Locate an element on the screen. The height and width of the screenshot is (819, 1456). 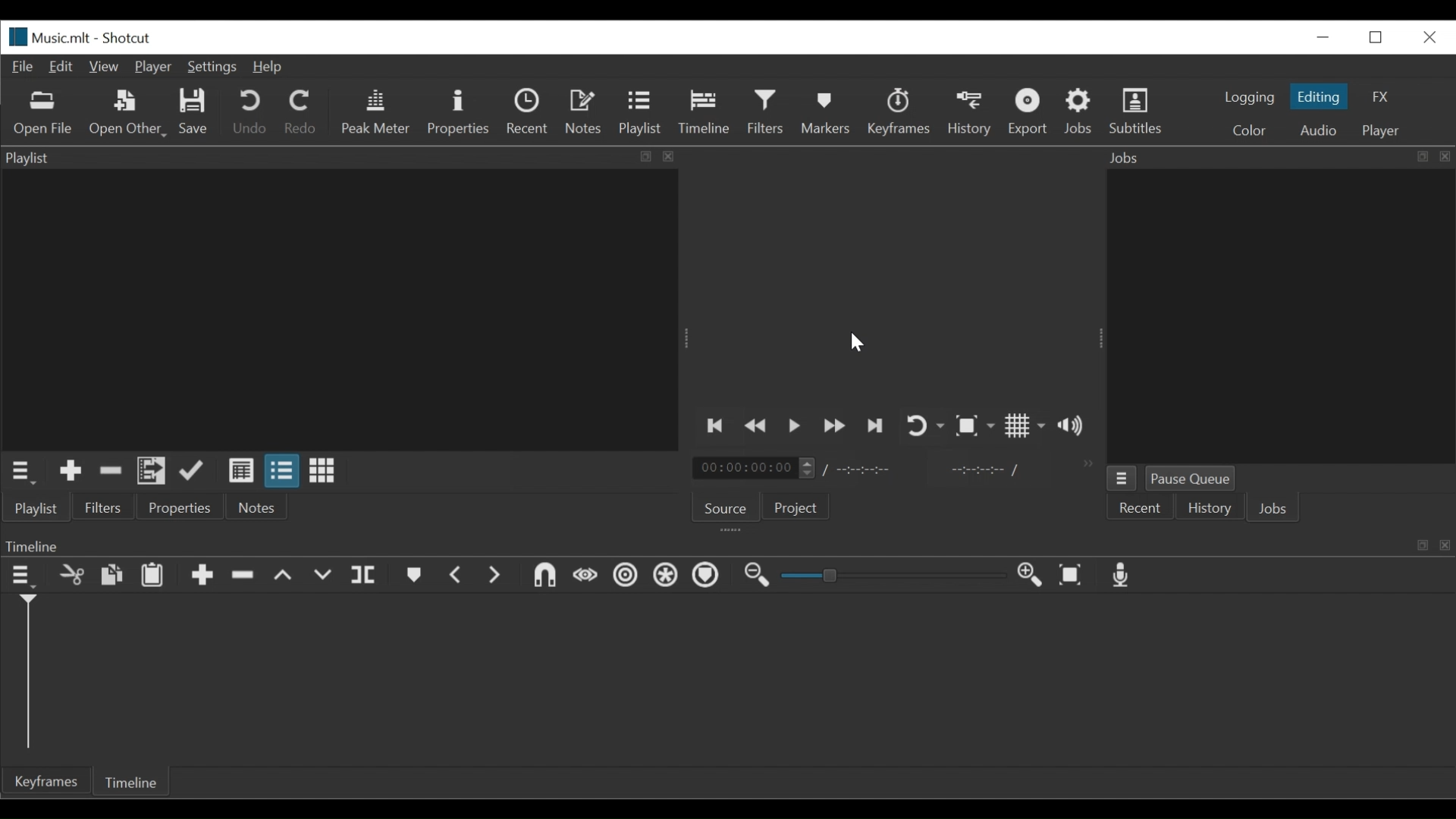
Zoom timeline to fit  is located at coordinates (1073, 574).